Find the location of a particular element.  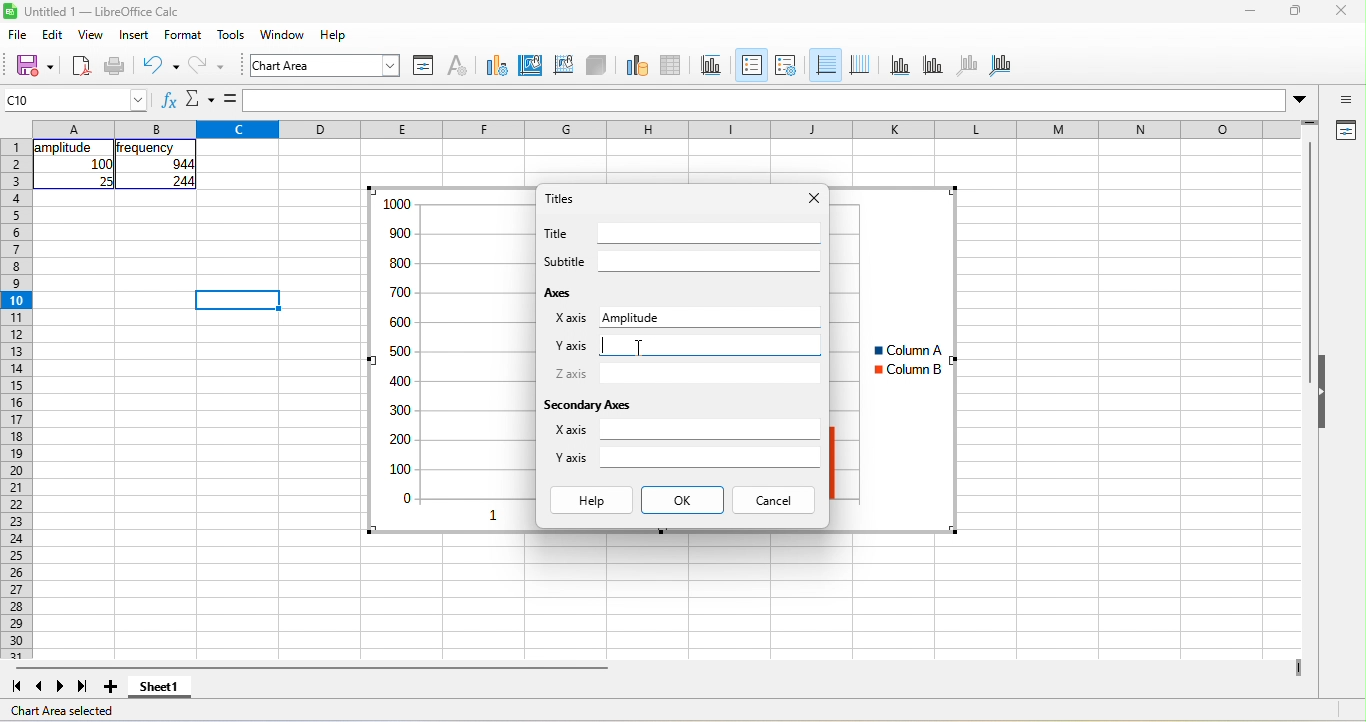

save is located at coordinates (34, 67).